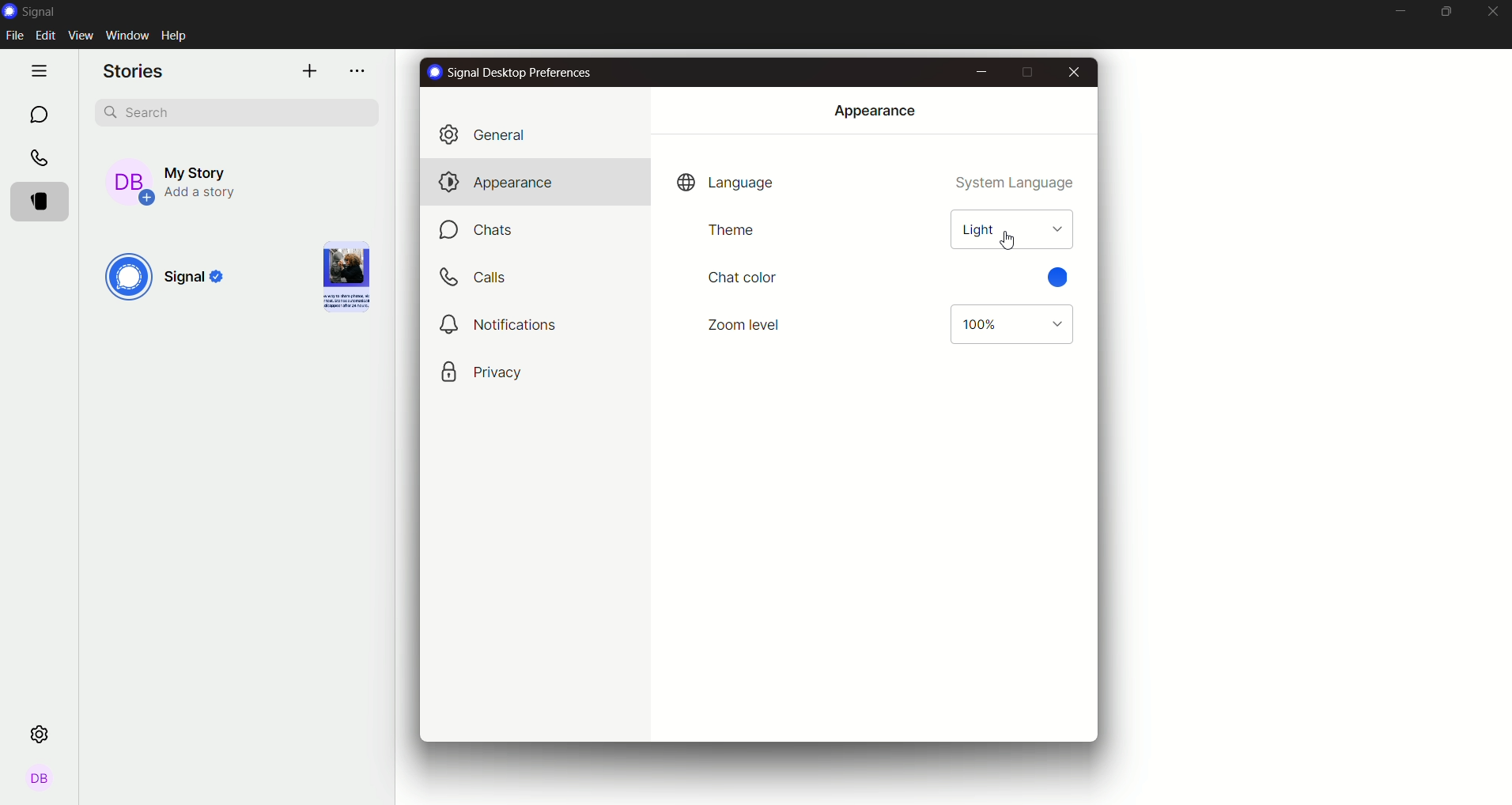  Describe the element at coordinates (342, 276) in the screenshot. I see `image` at that location.